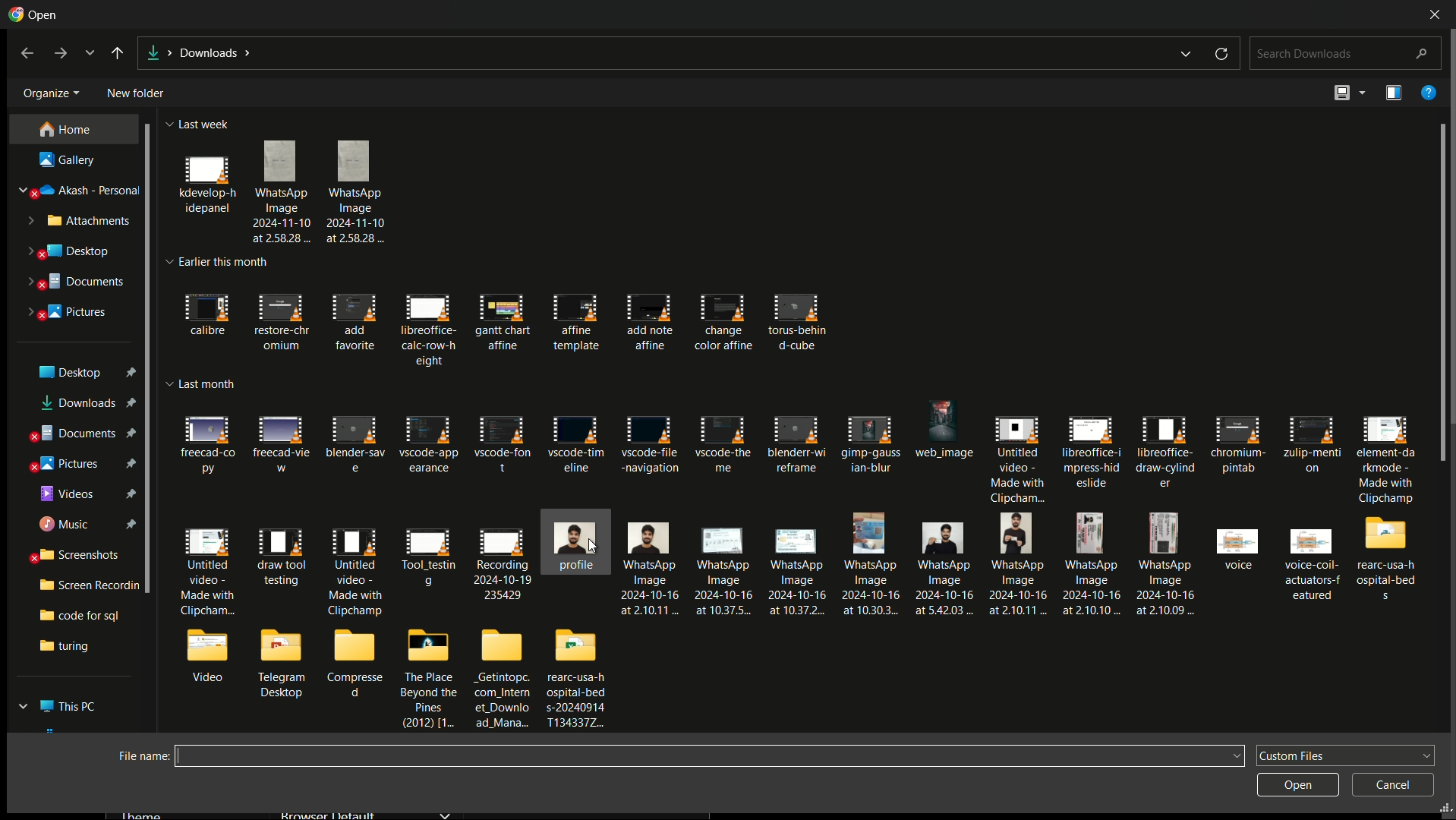 The image size is (1456, 820). Describe the element at coordinates (12, 14) in the screenshot. I see `icon` at that location.